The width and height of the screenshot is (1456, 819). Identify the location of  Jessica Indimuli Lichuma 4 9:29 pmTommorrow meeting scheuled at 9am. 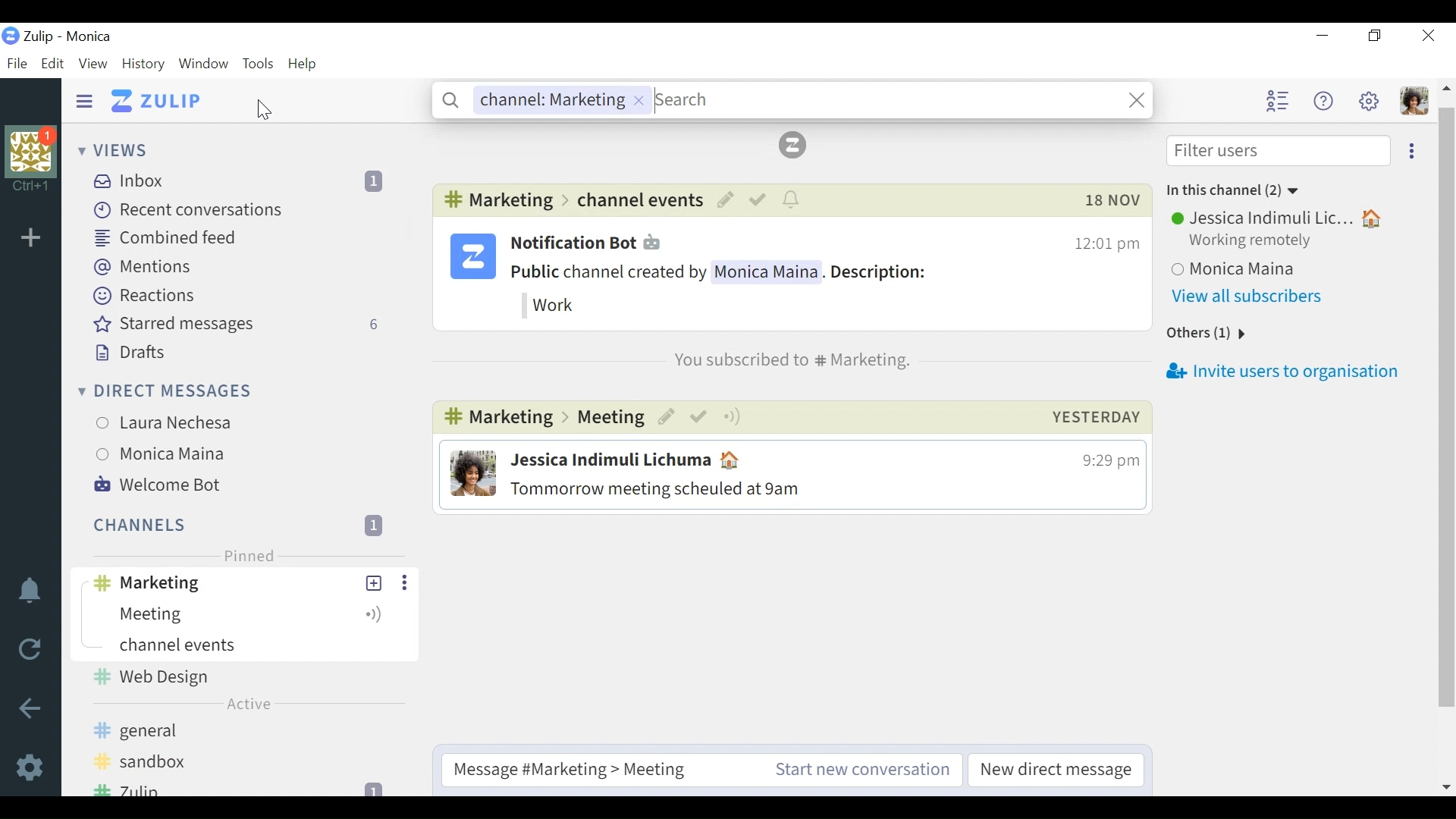
(837, 482).